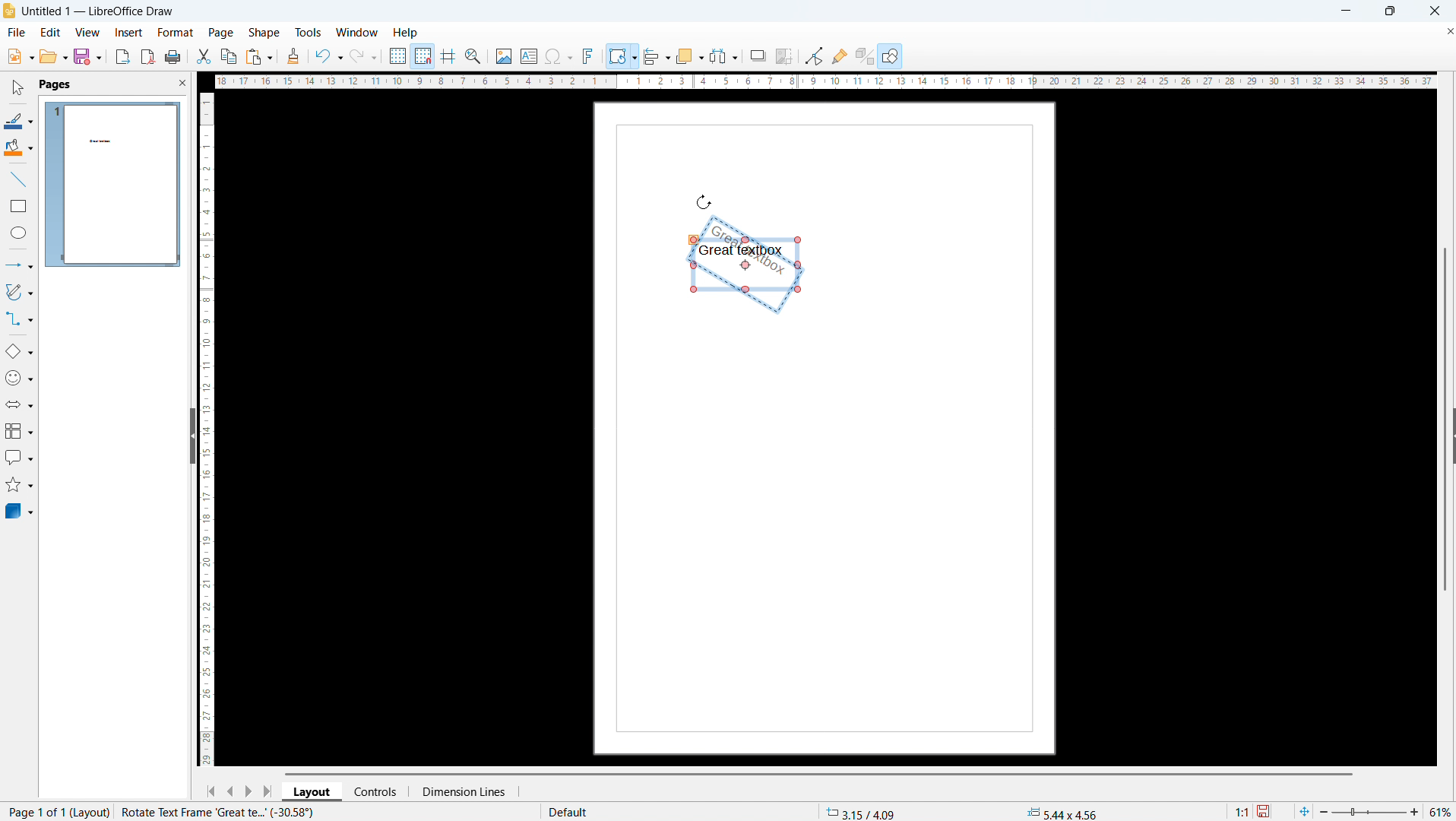  Describe the element at coordinates (19, 205) in the screenshot. I see `rectangle` at that location.